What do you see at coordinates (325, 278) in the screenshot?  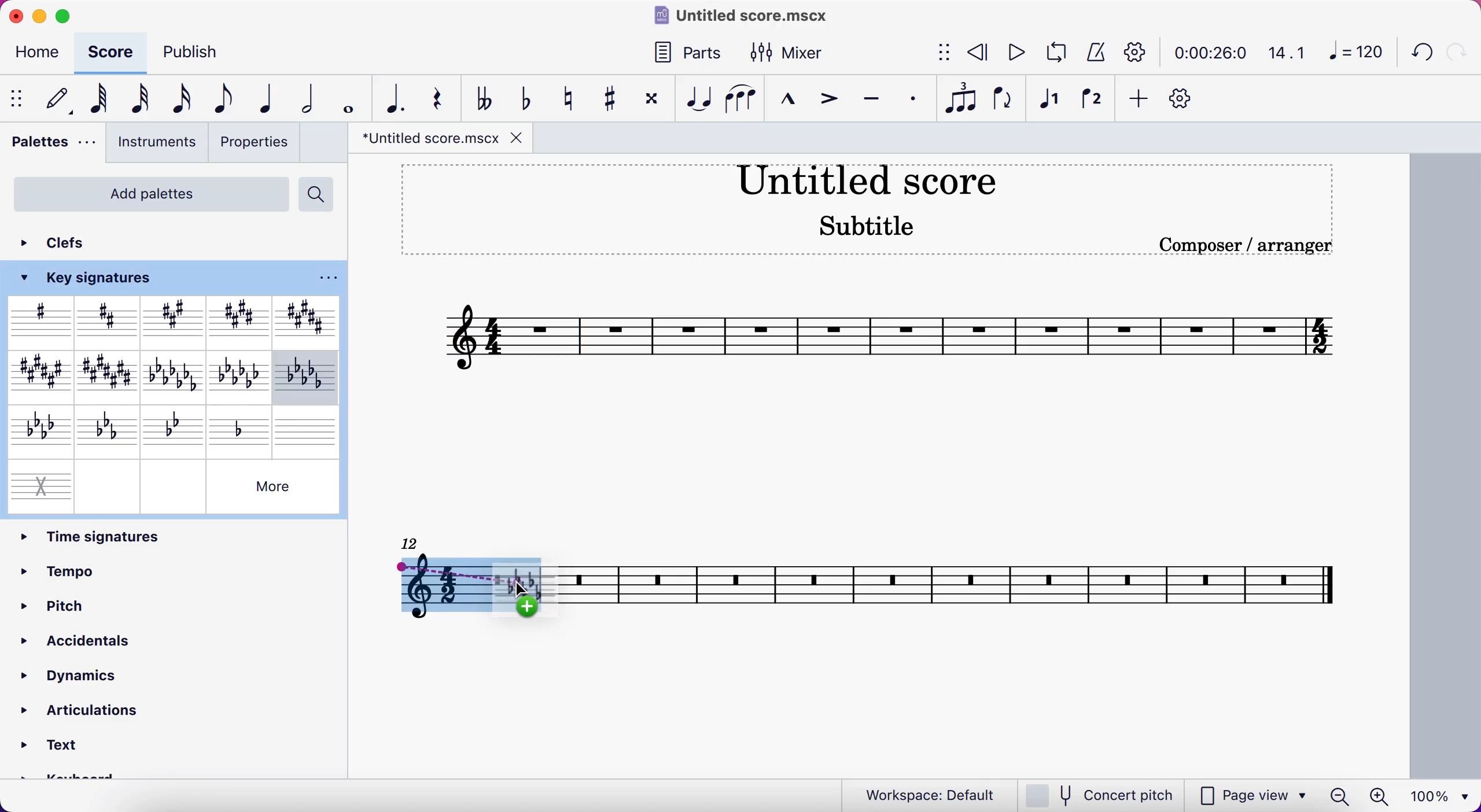 I see `options` at bounding box center [325, 278].